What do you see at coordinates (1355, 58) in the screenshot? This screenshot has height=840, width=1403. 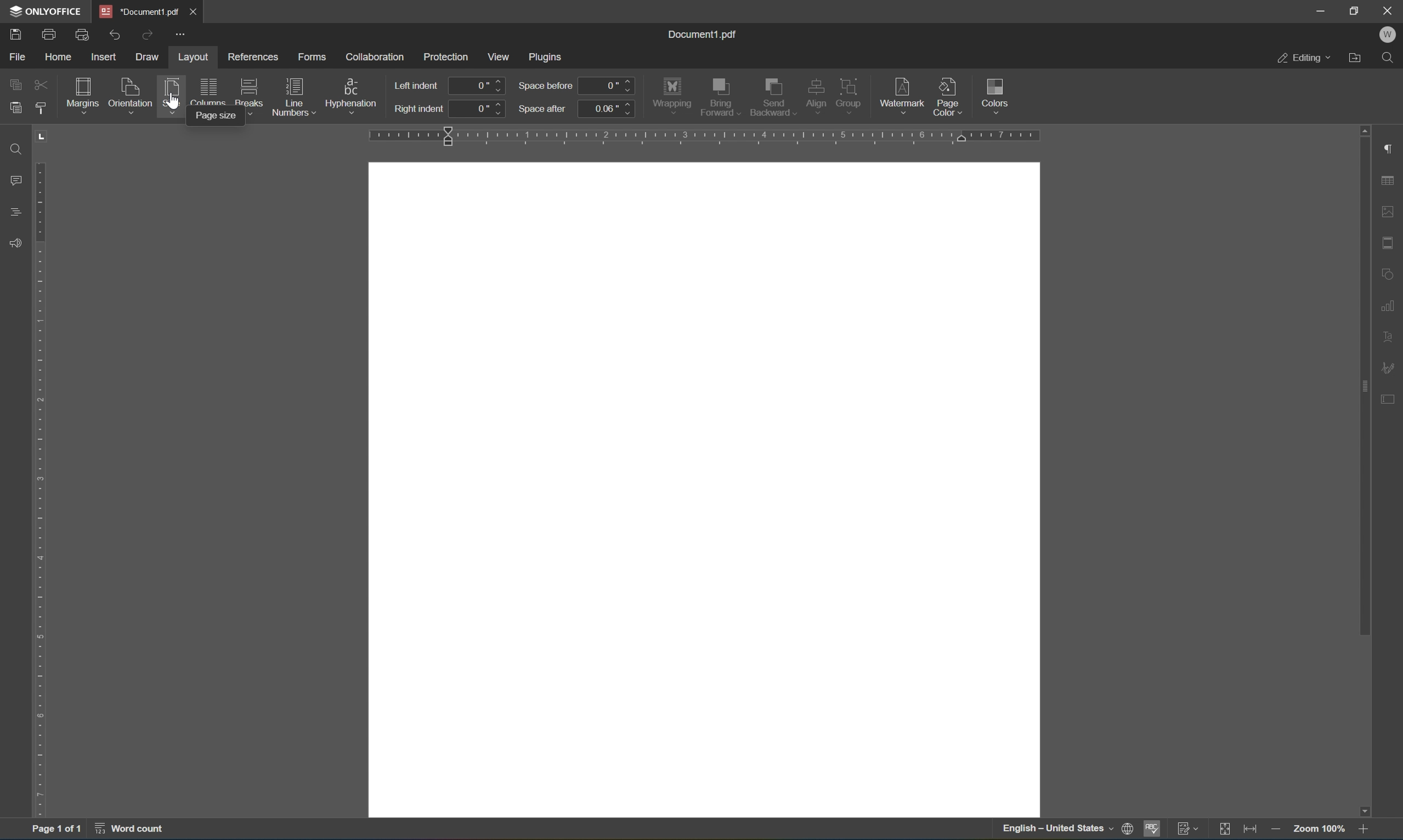 I see `open file location` at bounding box center [1355, 58].